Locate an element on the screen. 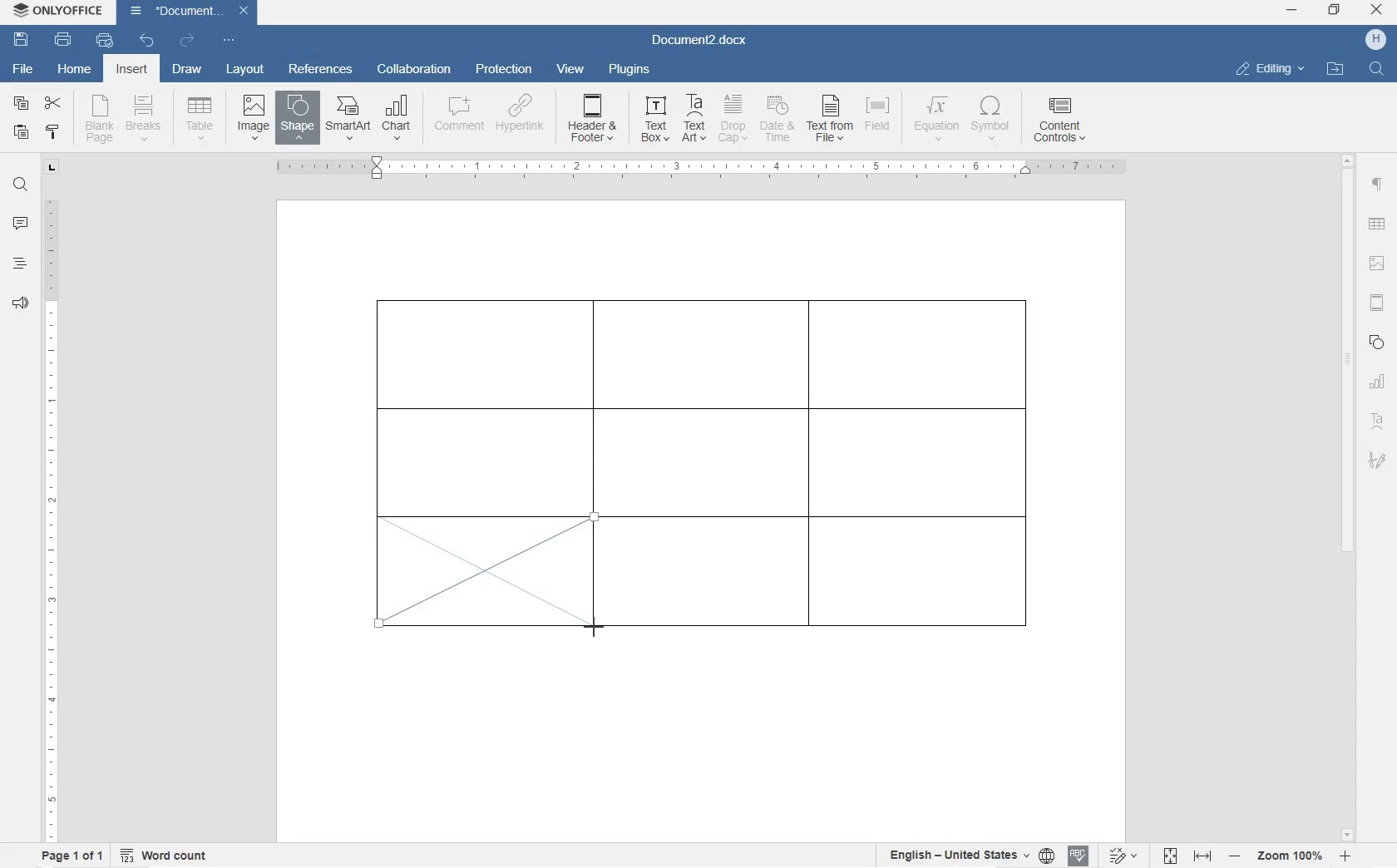  view is located at coordinates (573, 70).